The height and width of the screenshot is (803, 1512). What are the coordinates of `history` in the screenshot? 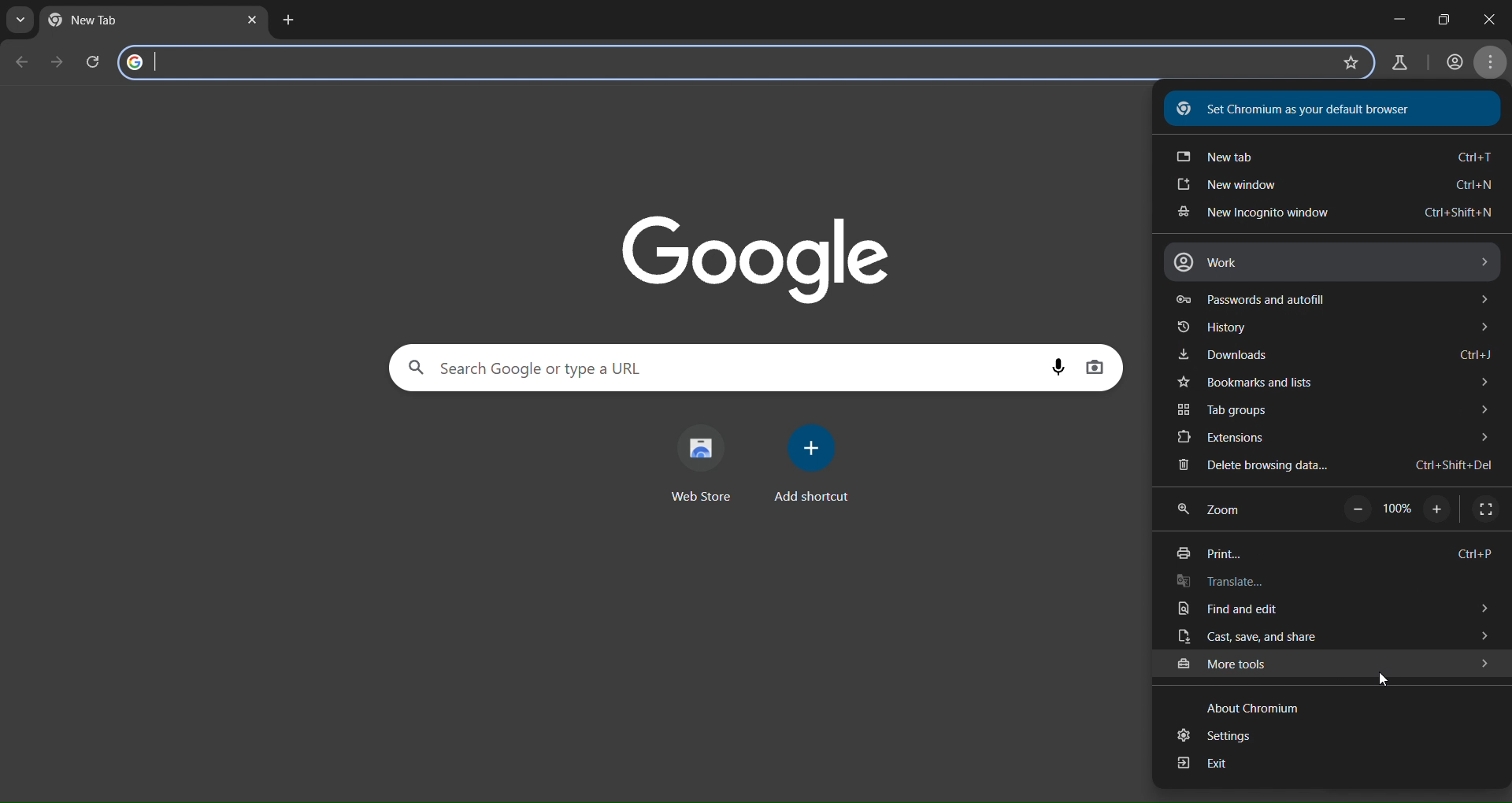 It's located at (1331, 331).